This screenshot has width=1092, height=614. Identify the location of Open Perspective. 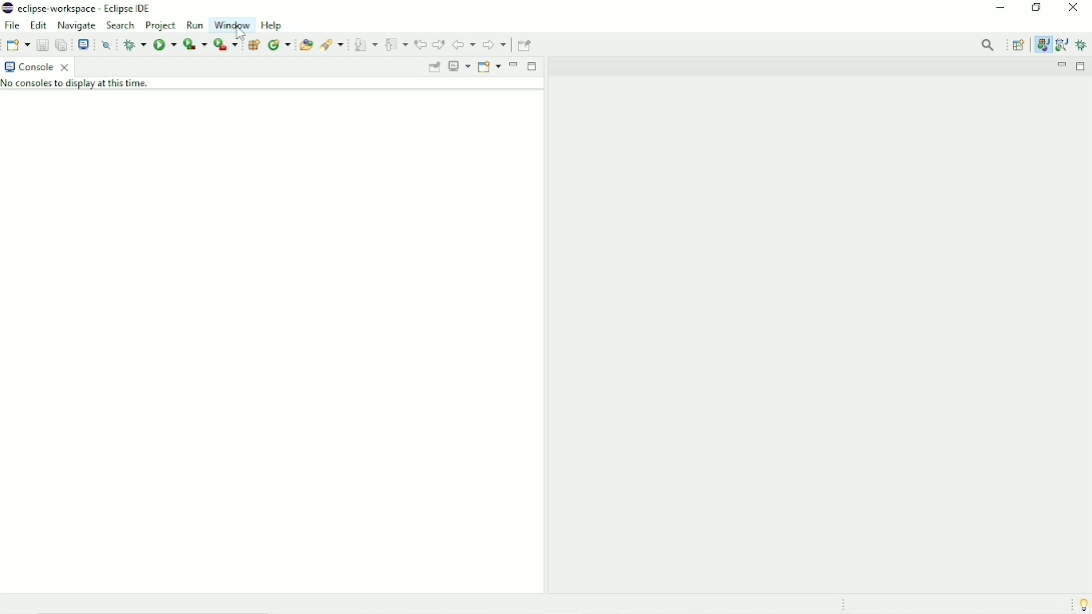
(1018, 45).